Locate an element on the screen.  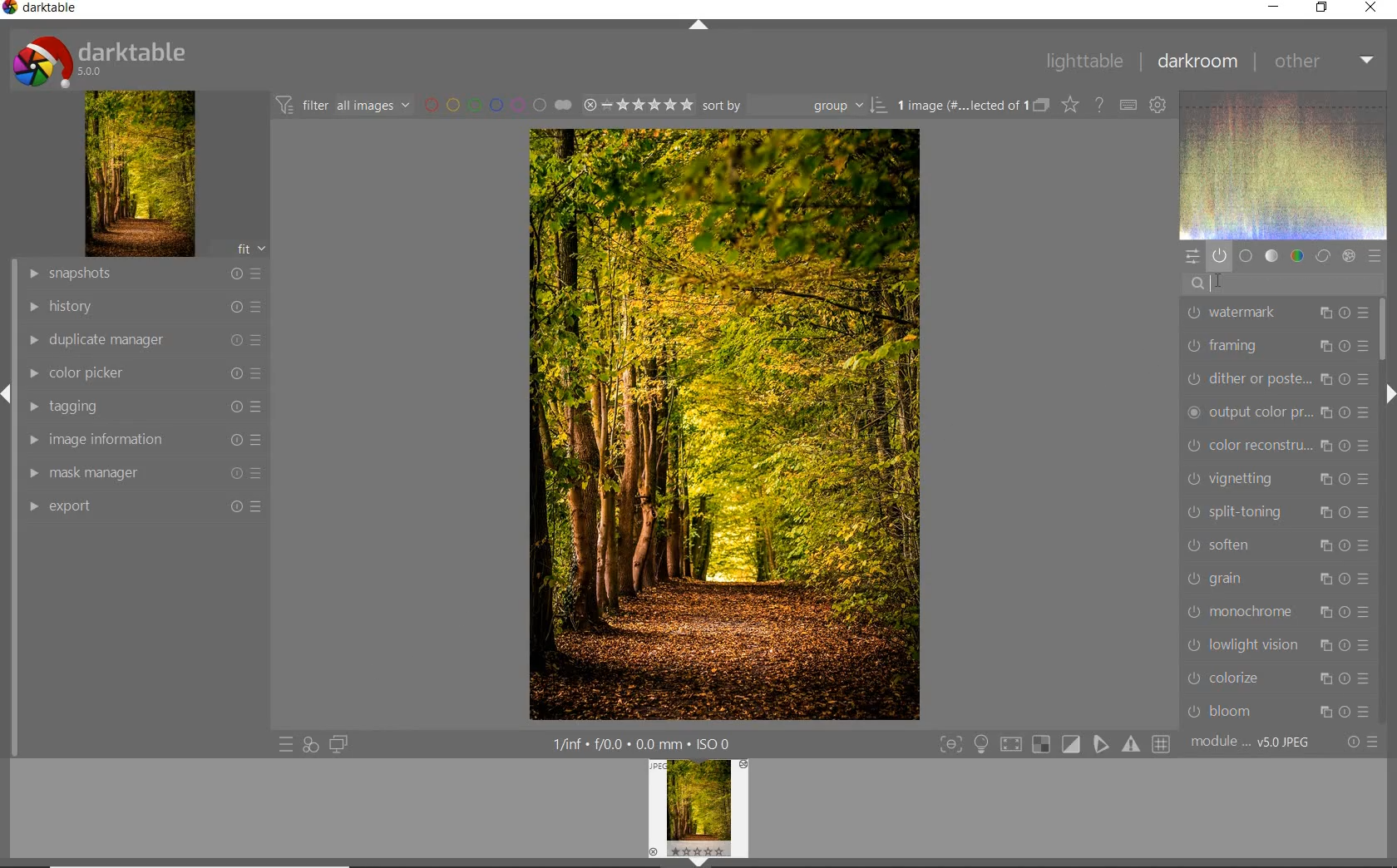
show only active module is located at coordinates (1219, 255).